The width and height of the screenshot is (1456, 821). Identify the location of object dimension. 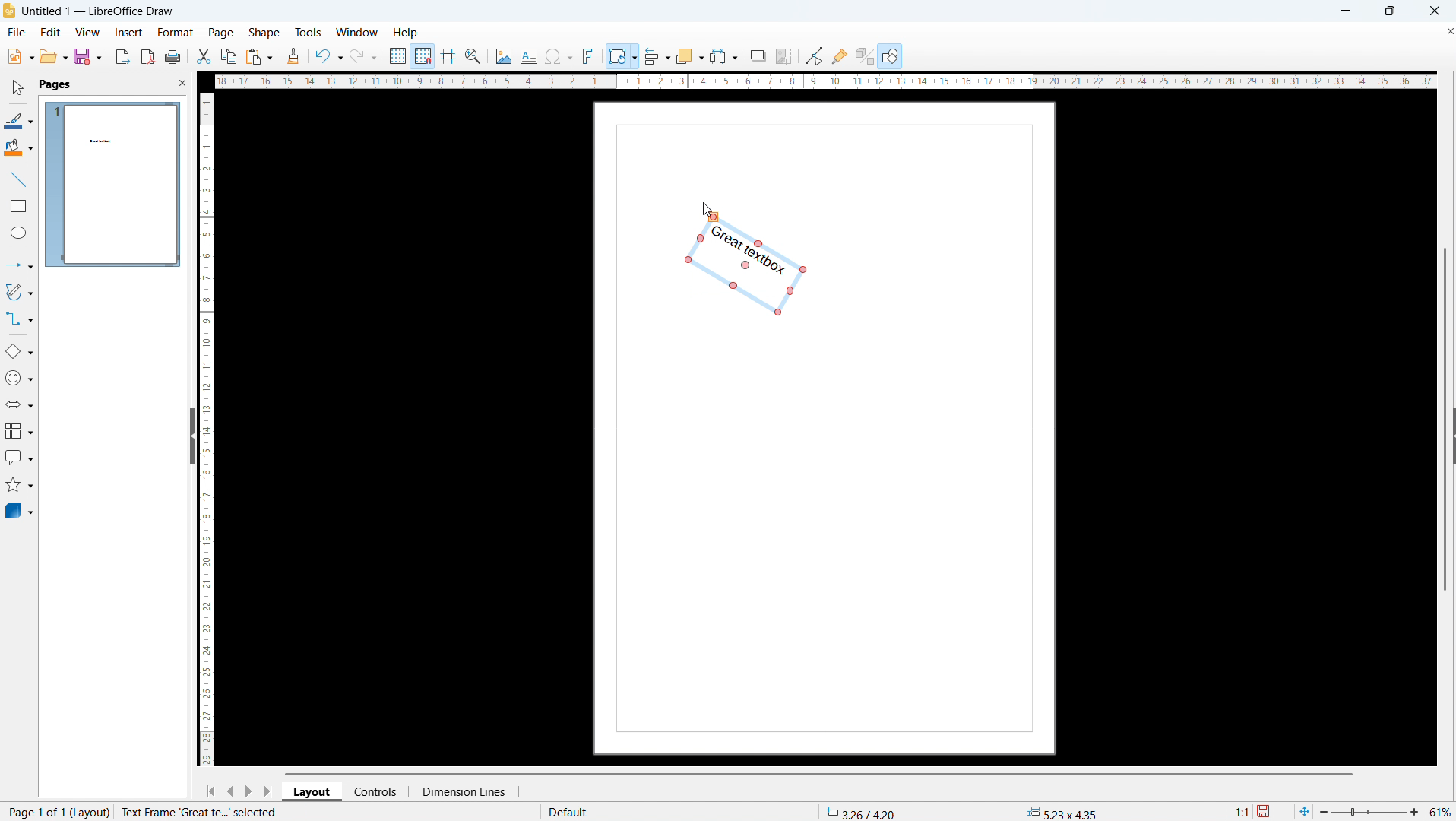
(1063, 812).